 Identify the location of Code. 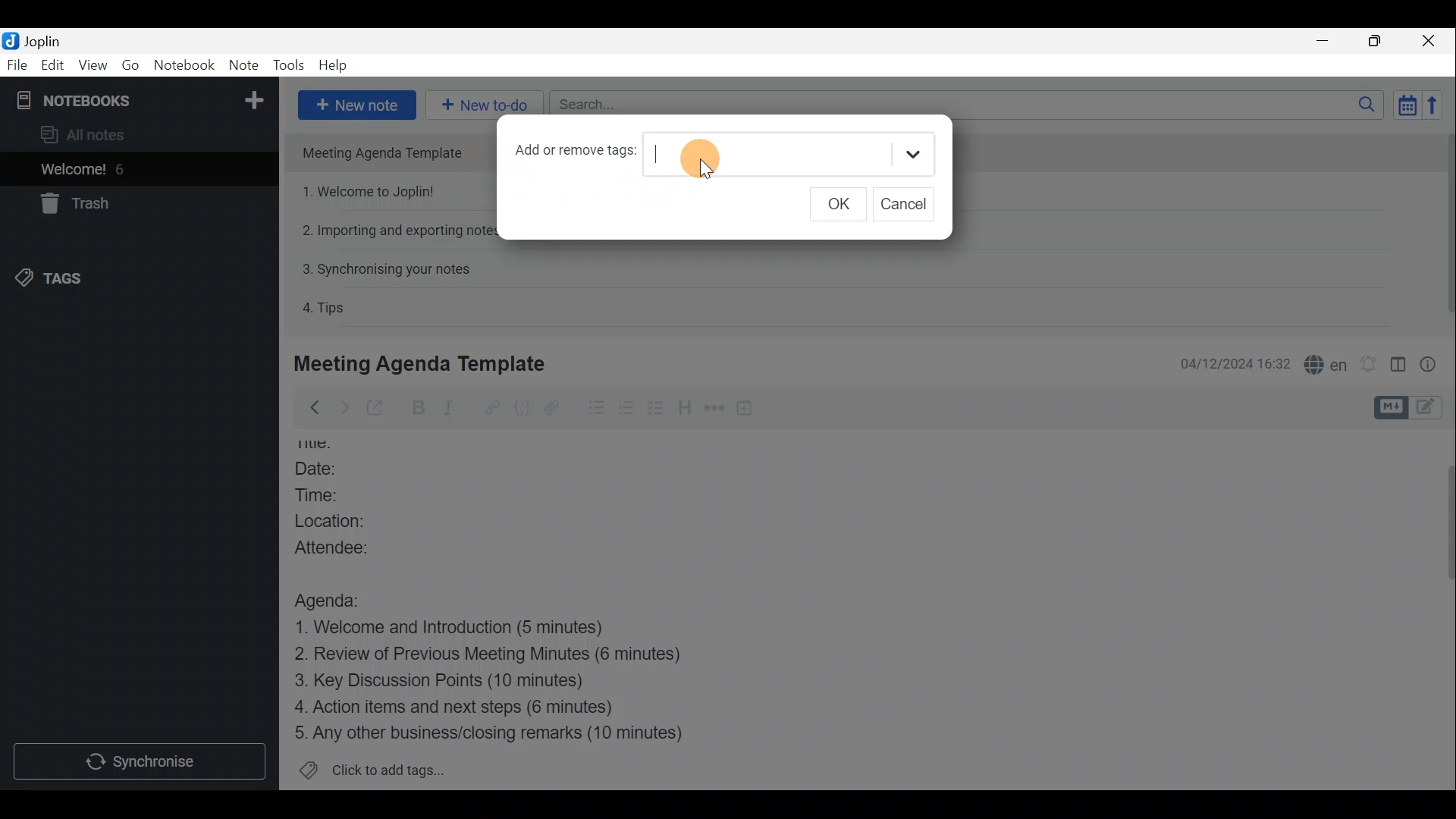
(524, 410).